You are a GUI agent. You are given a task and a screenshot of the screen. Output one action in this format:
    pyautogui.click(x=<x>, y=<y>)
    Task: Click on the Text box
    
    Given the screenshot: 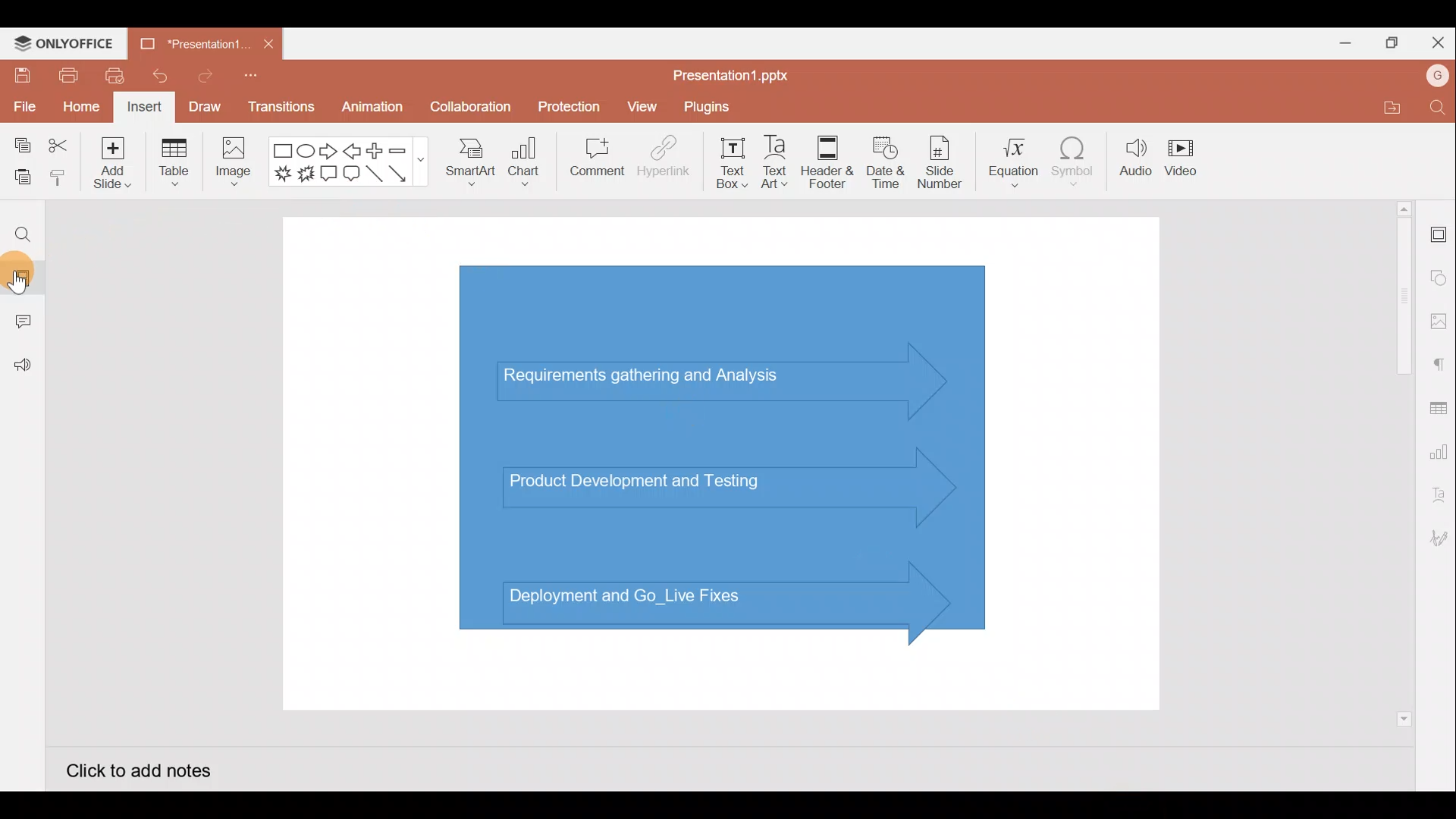 What is the action you would take?
    pyautogui.click(x=728, y=163)
    